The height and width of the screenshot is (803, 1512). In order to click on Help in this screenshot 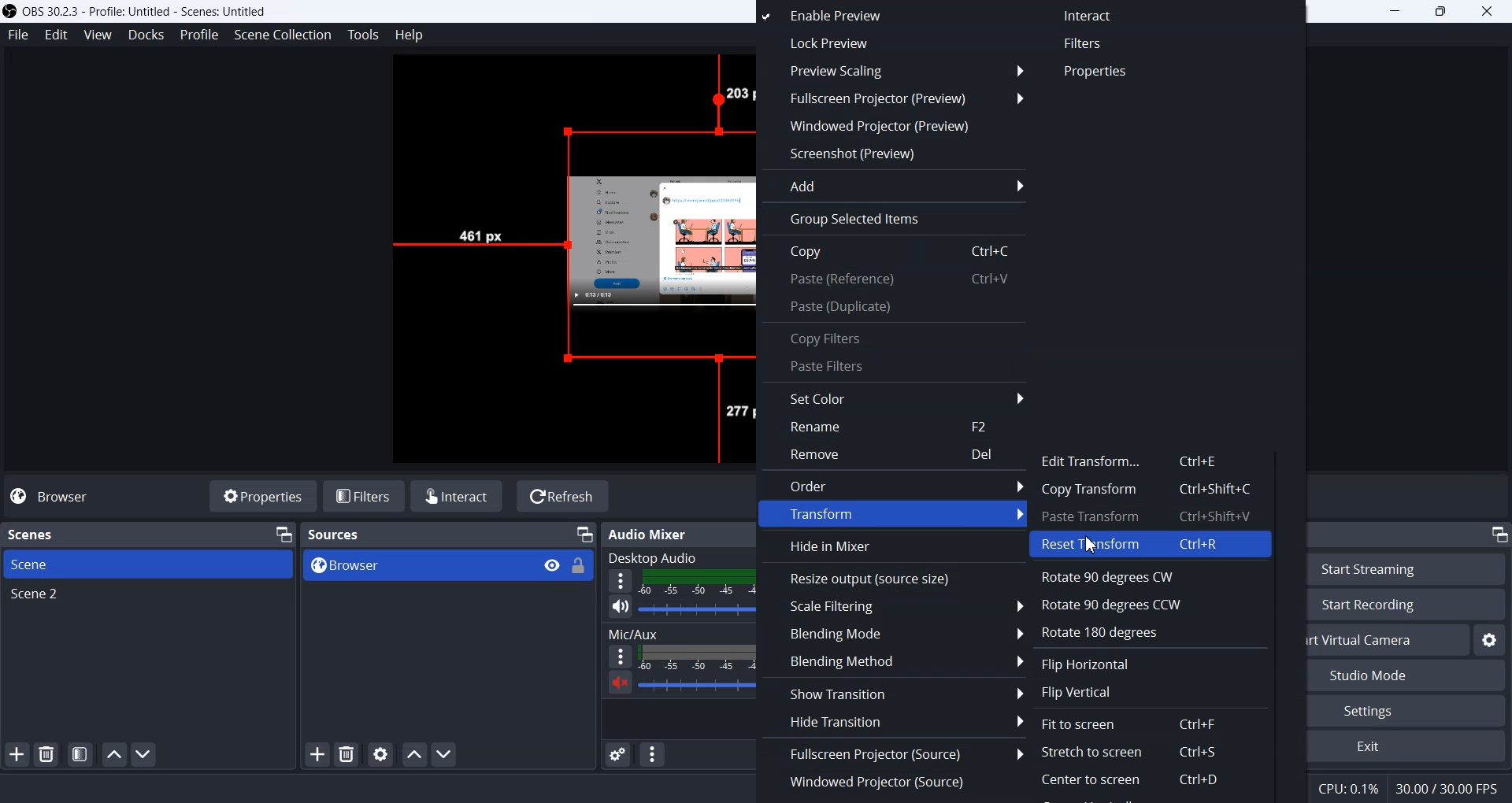, I will do `click(409, 34)`.